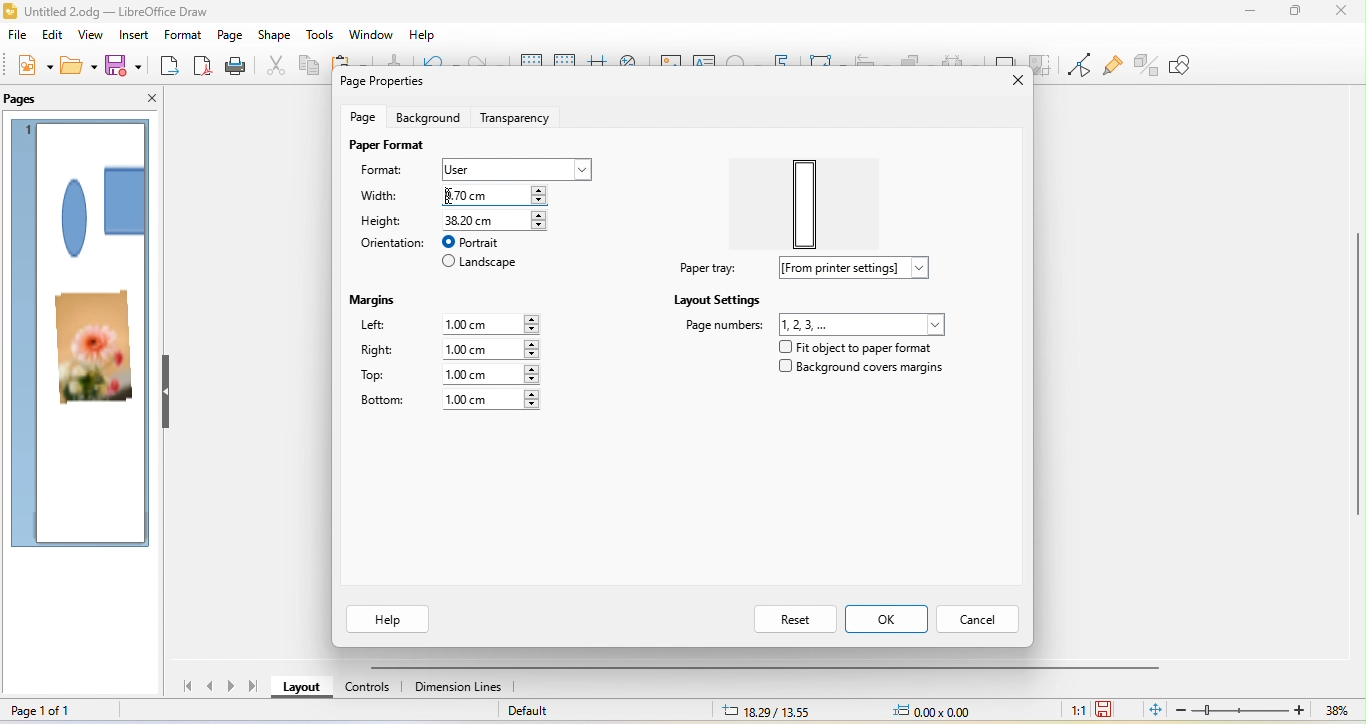  What do you see at coordinates (486, 64) in the screenshot?
I see `redo` at bounding box center [486, 64].